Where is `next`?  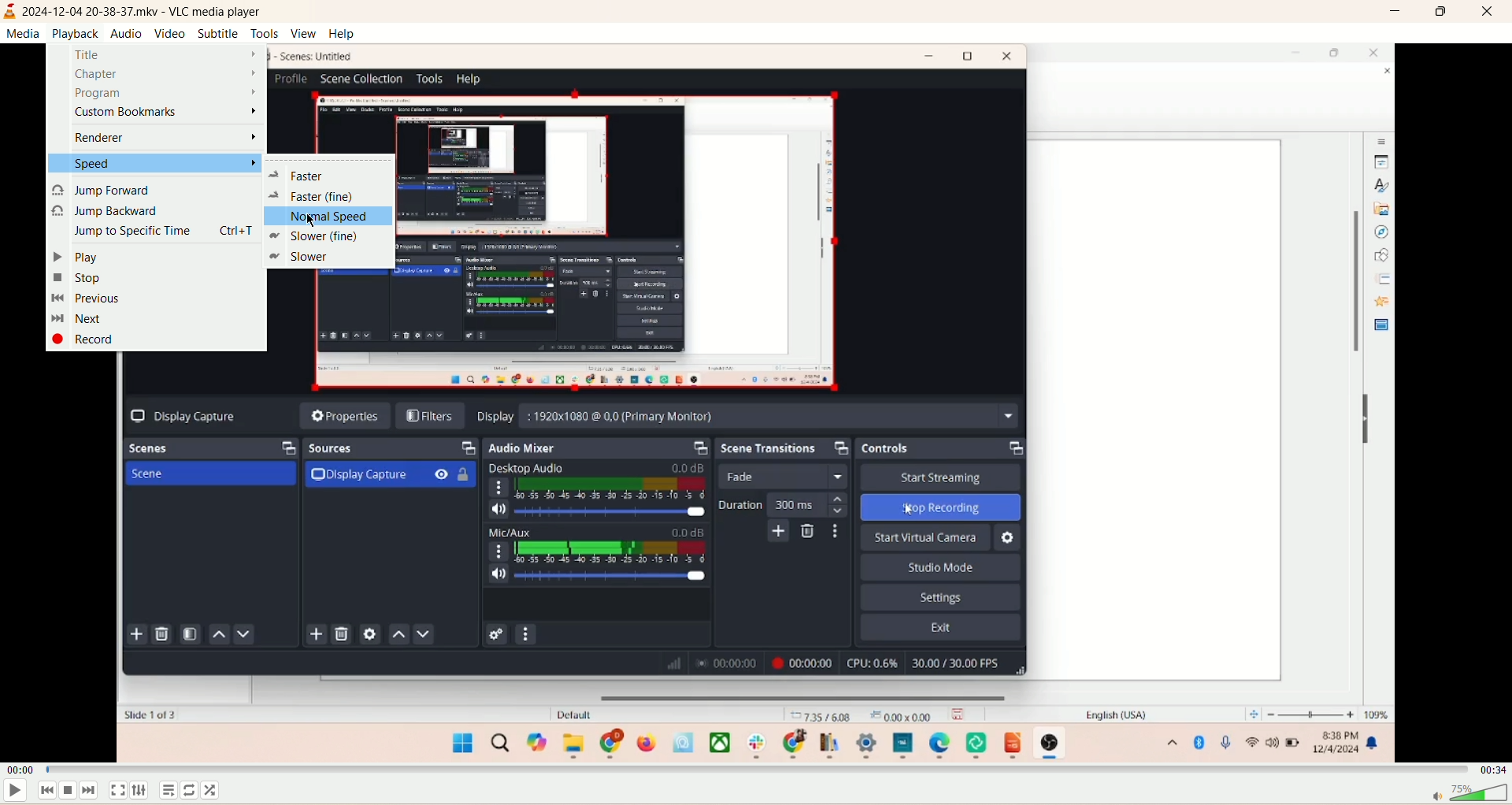 next is located at coordinates (80, 319).